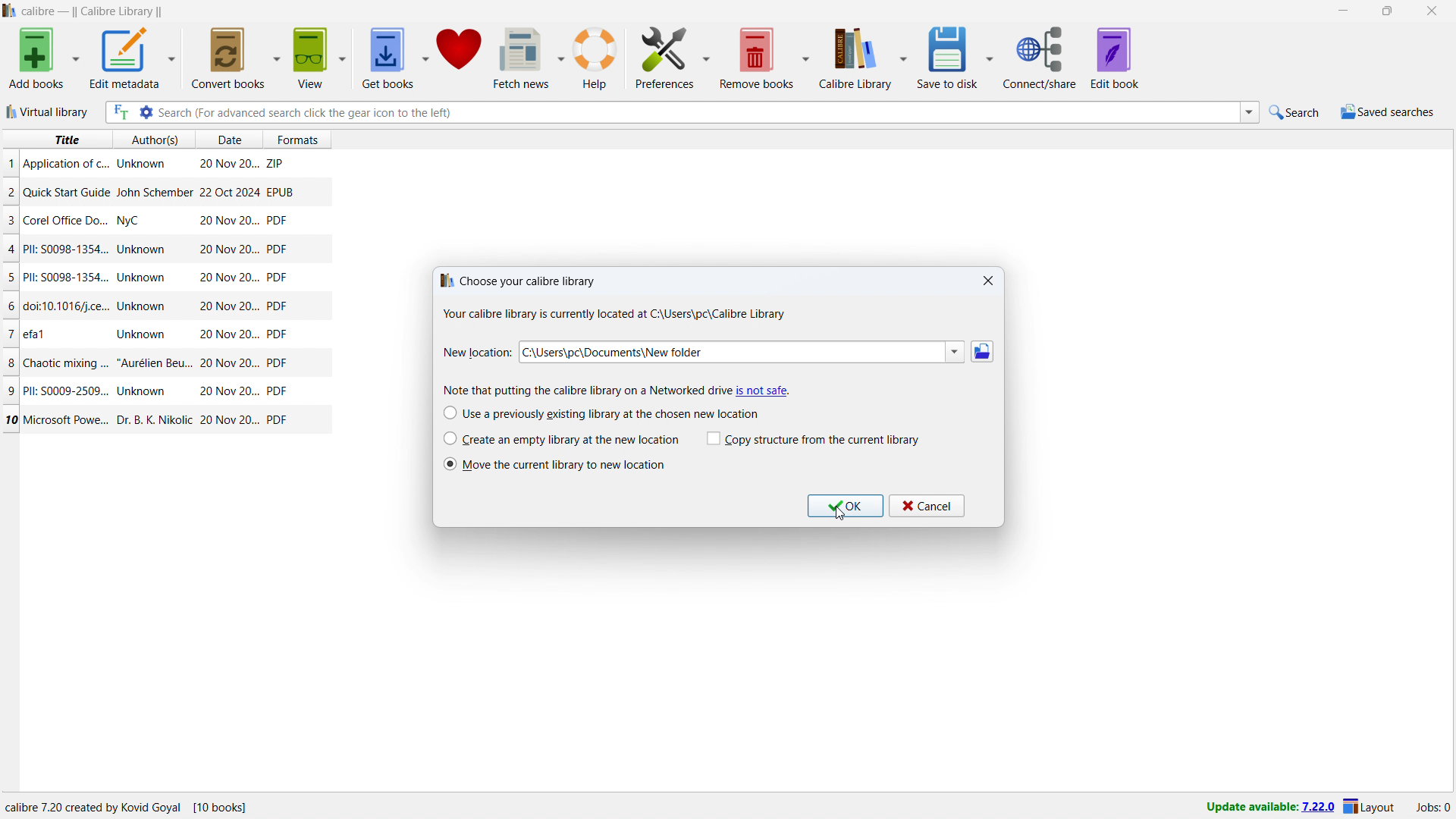 This screenshot has height=819, width=1456. What do you see at coordinates (1040, 58) in the screenshot?
I see `connect/share` at bounding box center [1040, 58].